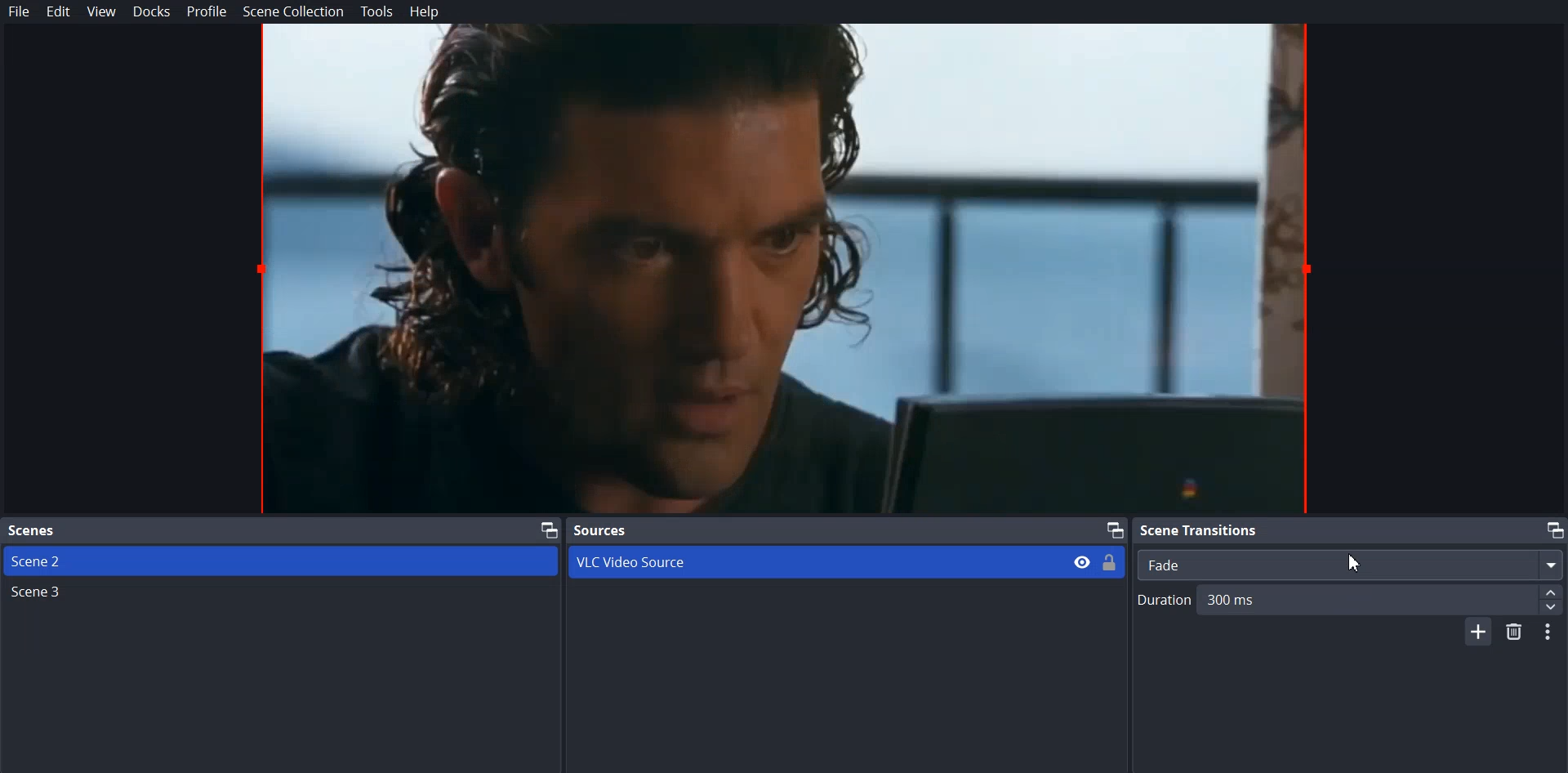 Image resolution: width=1568 pixels, height=773 pixels. What do you see at coordinates (281, 530) in the screenshot?
I see `Scene` at bounding box center [281, 530].